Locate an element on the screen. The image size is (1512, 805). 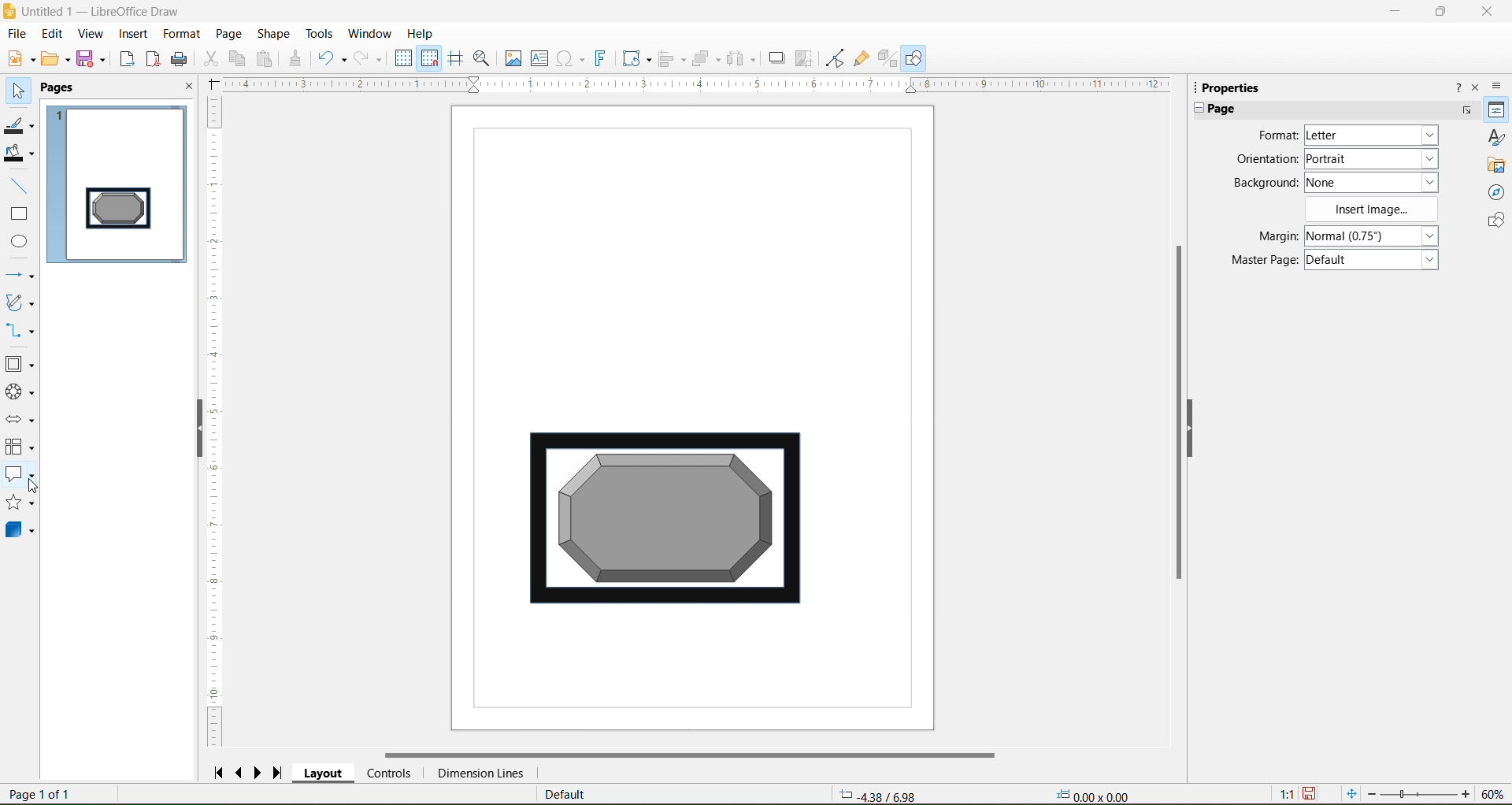
Orientation is located at coordinates (1266, 160).